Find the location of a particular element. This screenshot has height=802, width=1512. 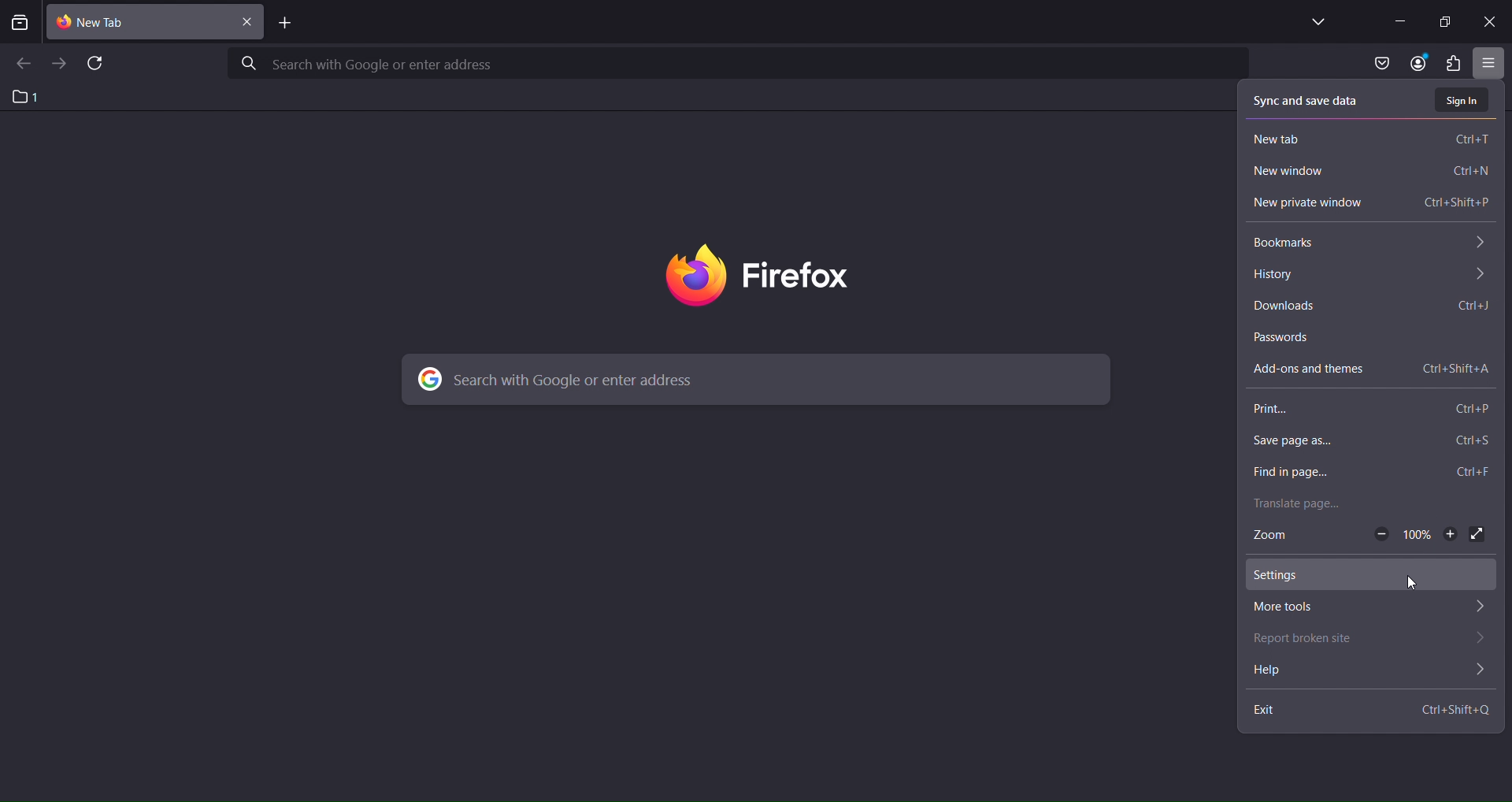

save to pocker is located at coordinates (1381, 64).